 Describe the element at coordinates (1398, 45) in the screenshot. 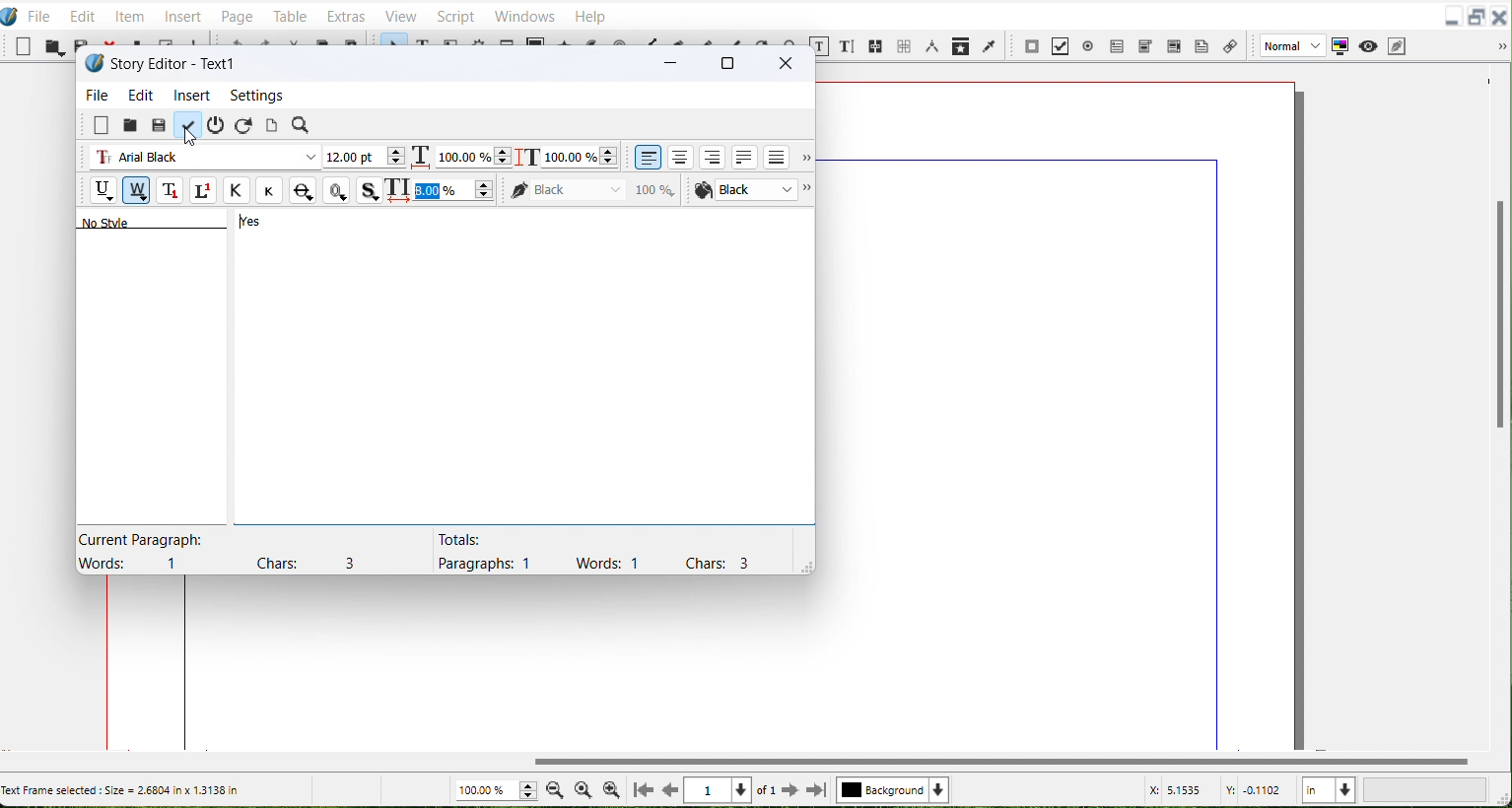

I see `Edit in preview Mode` at that location.